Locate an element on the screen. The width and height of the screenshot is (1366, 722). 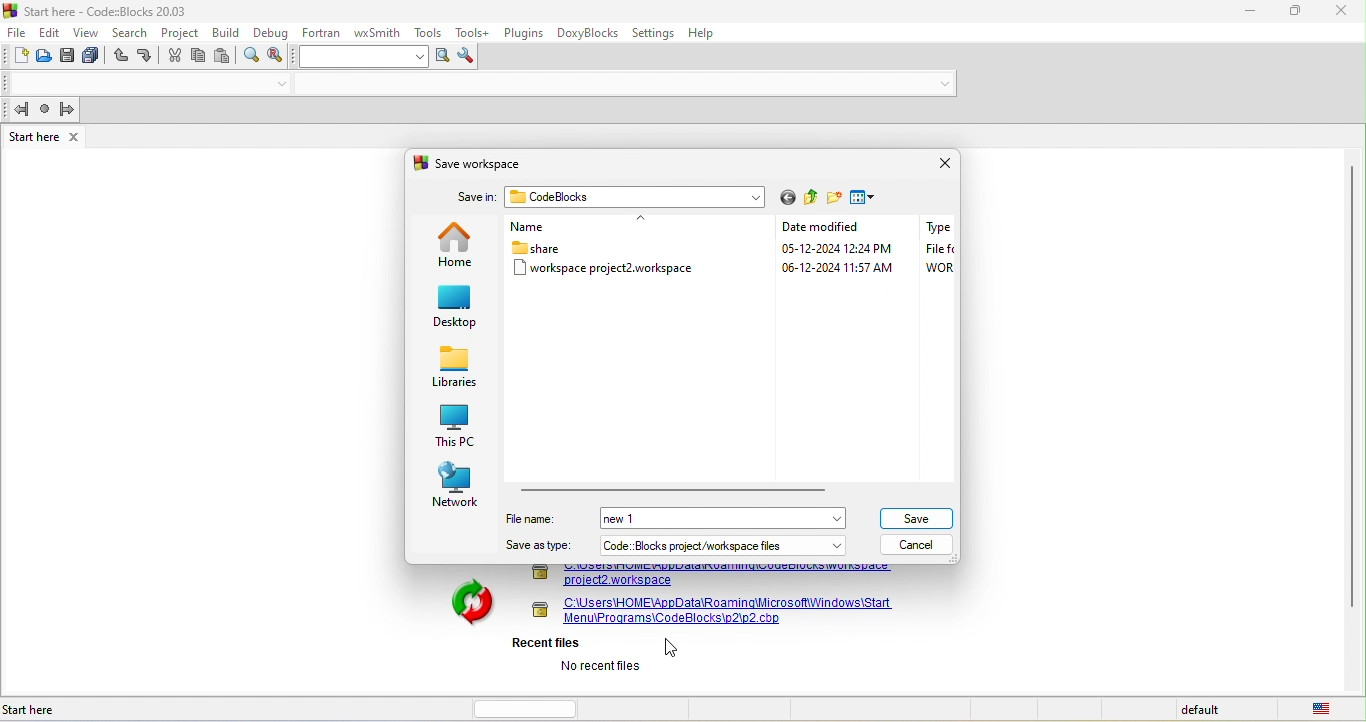
minimize is located at coordinates (1250, 12).